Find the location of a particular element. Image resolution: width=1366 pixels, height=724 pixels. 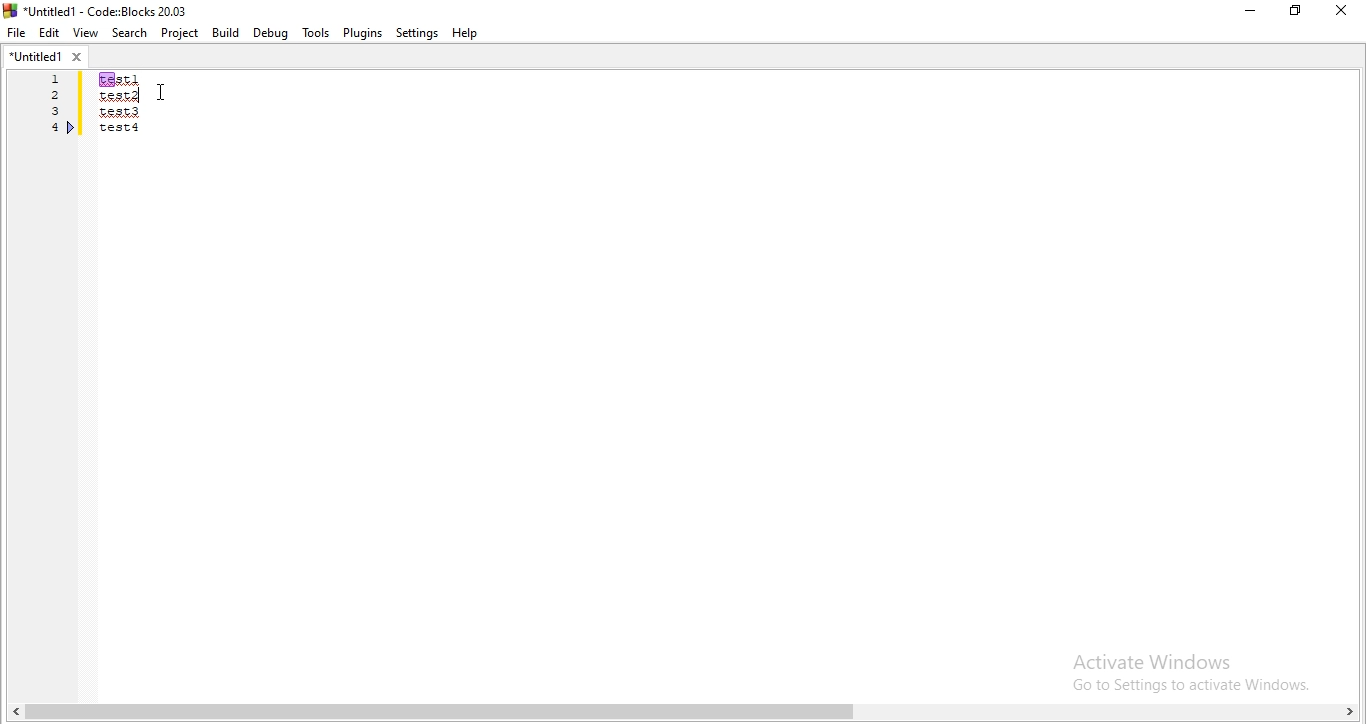

Search  is located at coordinates (127, 32).